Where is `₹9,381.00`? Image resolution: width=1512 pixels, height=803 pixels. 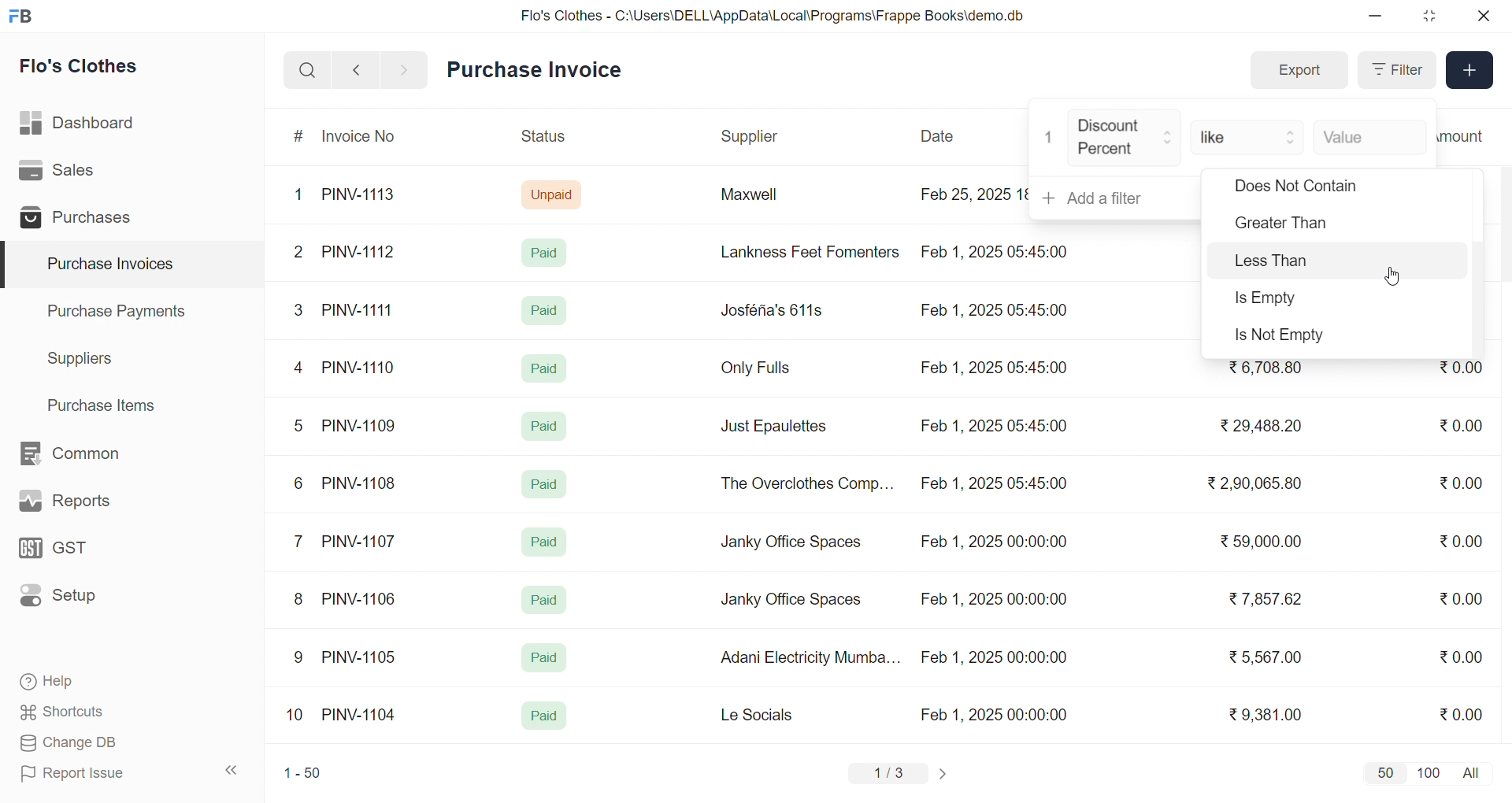
₹9,381.00 is located at coordinates (1266, 715).